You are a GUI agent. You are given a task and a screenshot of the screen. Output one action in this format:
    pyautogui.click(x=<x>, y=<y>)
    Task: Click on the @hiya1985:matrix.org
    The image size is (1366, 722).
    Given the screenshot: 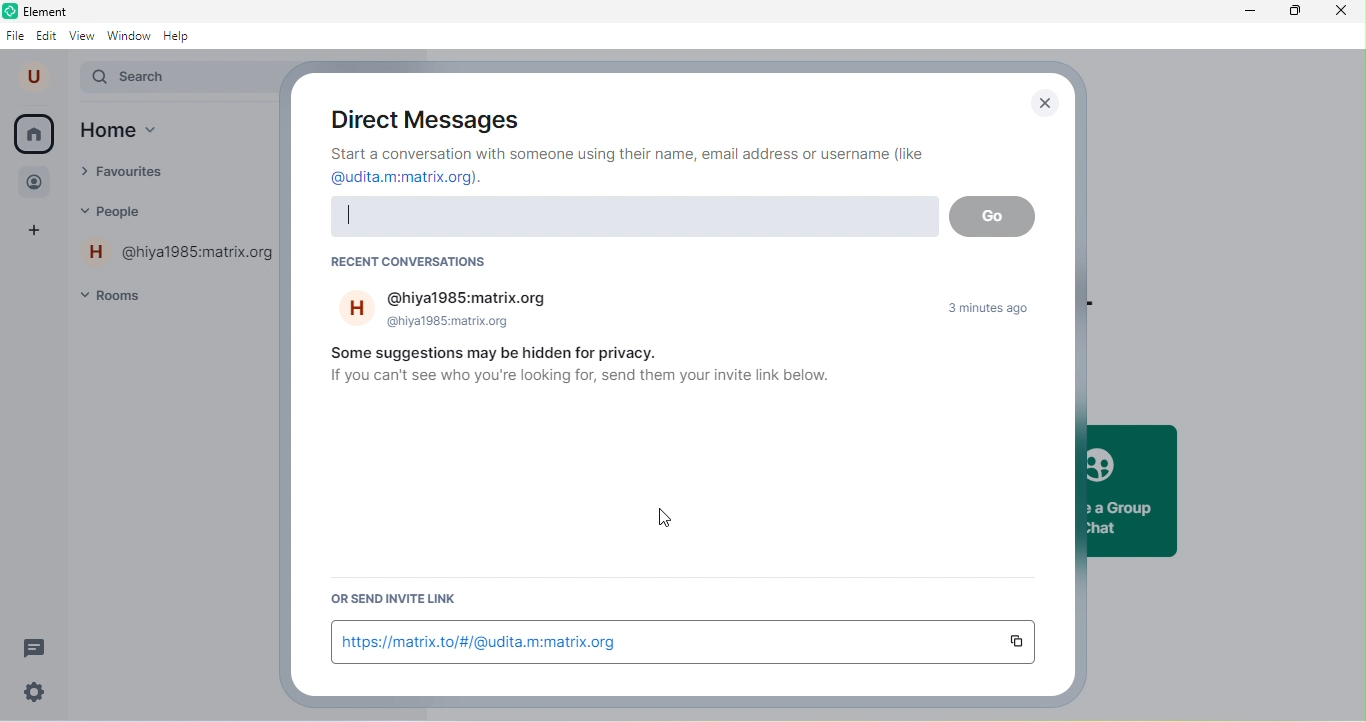 What is the action you would take?
    pyautogui.click(x=181, y=254)
    